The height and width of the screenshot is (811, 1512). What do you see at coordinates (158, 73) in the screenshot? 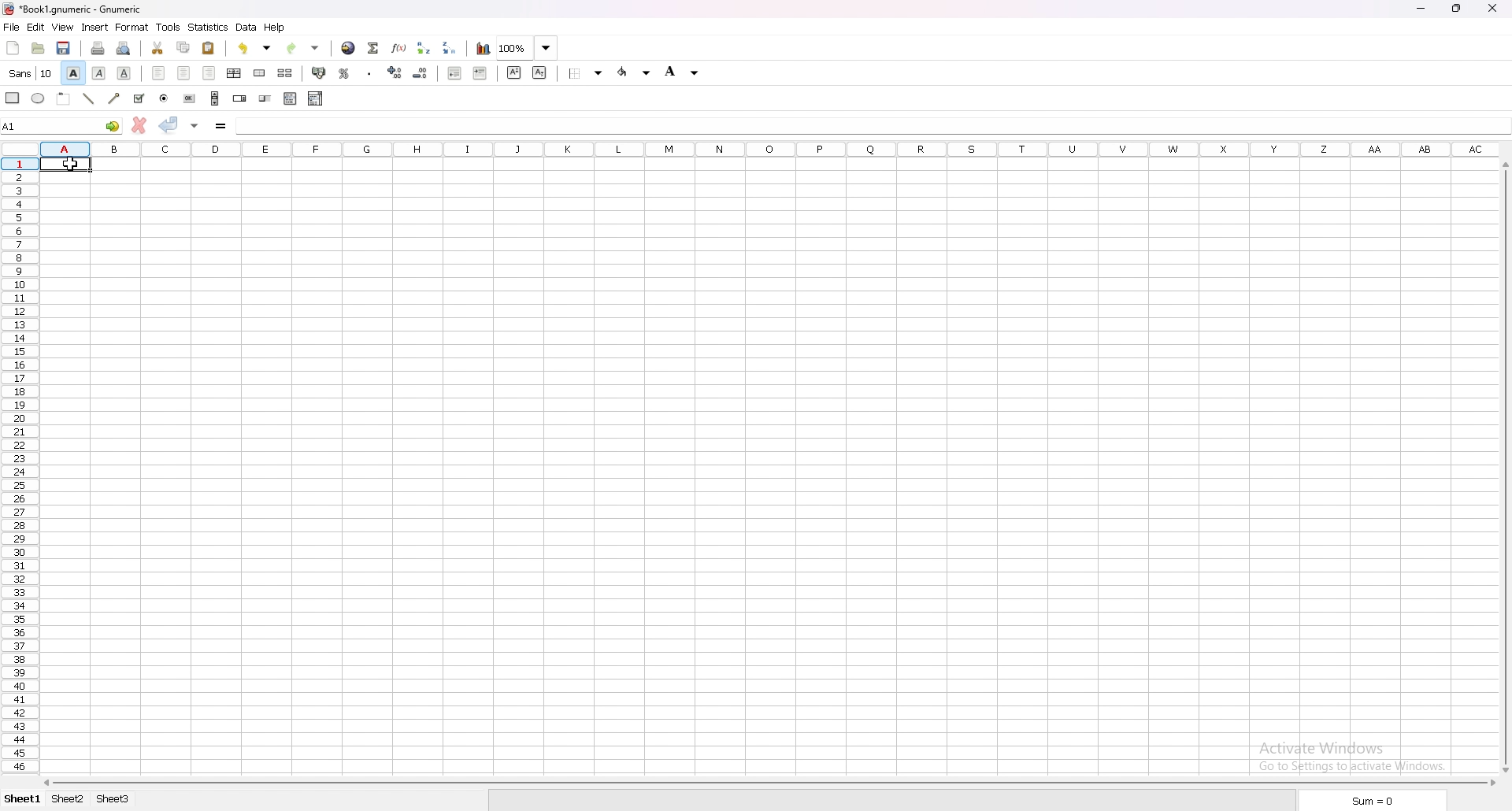
I see `left align` at bounding box center [158, 73].